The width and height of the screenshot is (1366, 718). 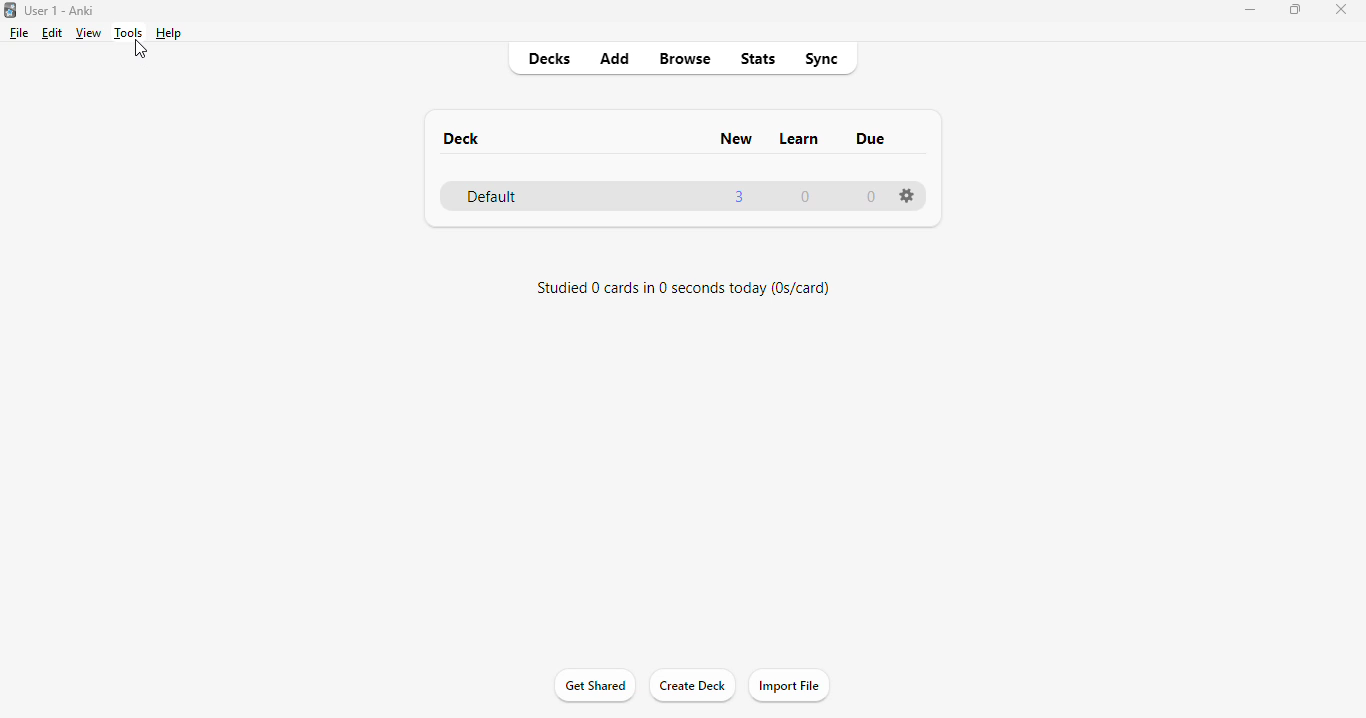 What do you see at coordinates (685, 60) in the screenshot?
I see `browse` at bounding box center [685, 60].